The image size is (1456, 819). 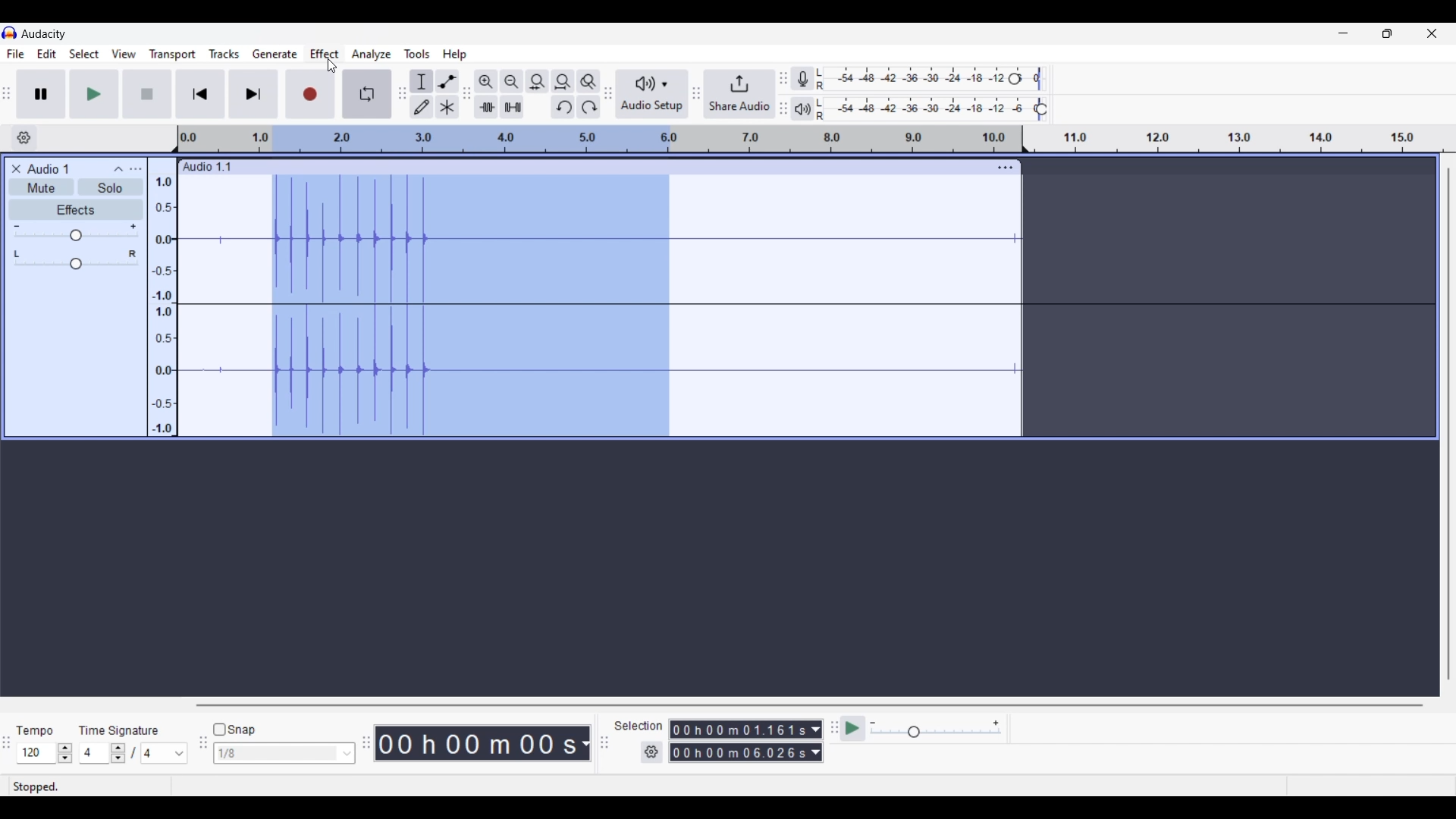 I want to click on Zoom toggle, so click(x=588, y=81).